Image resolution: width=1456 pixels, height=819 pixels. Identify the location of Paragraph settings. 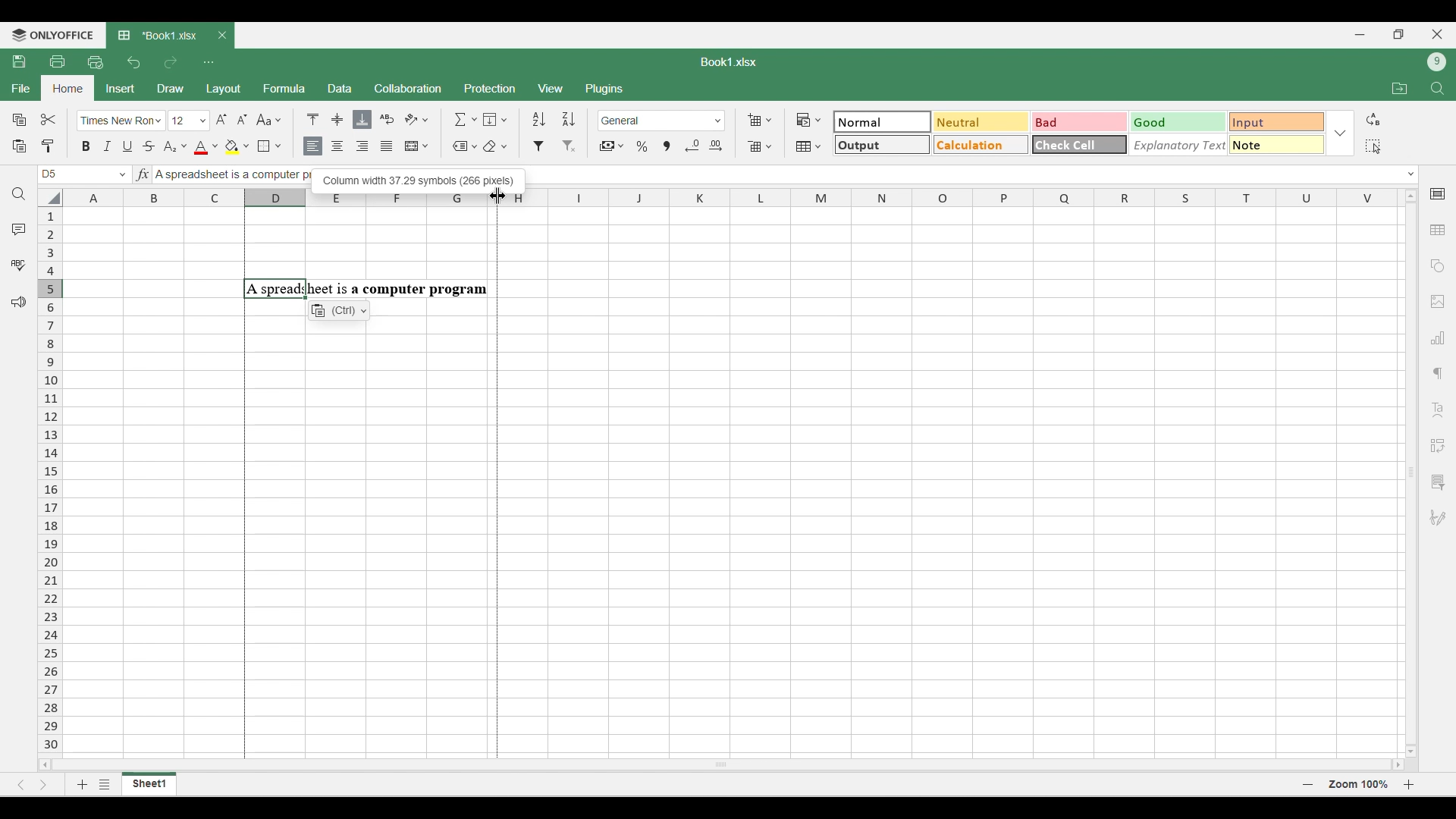
(1438, 374).